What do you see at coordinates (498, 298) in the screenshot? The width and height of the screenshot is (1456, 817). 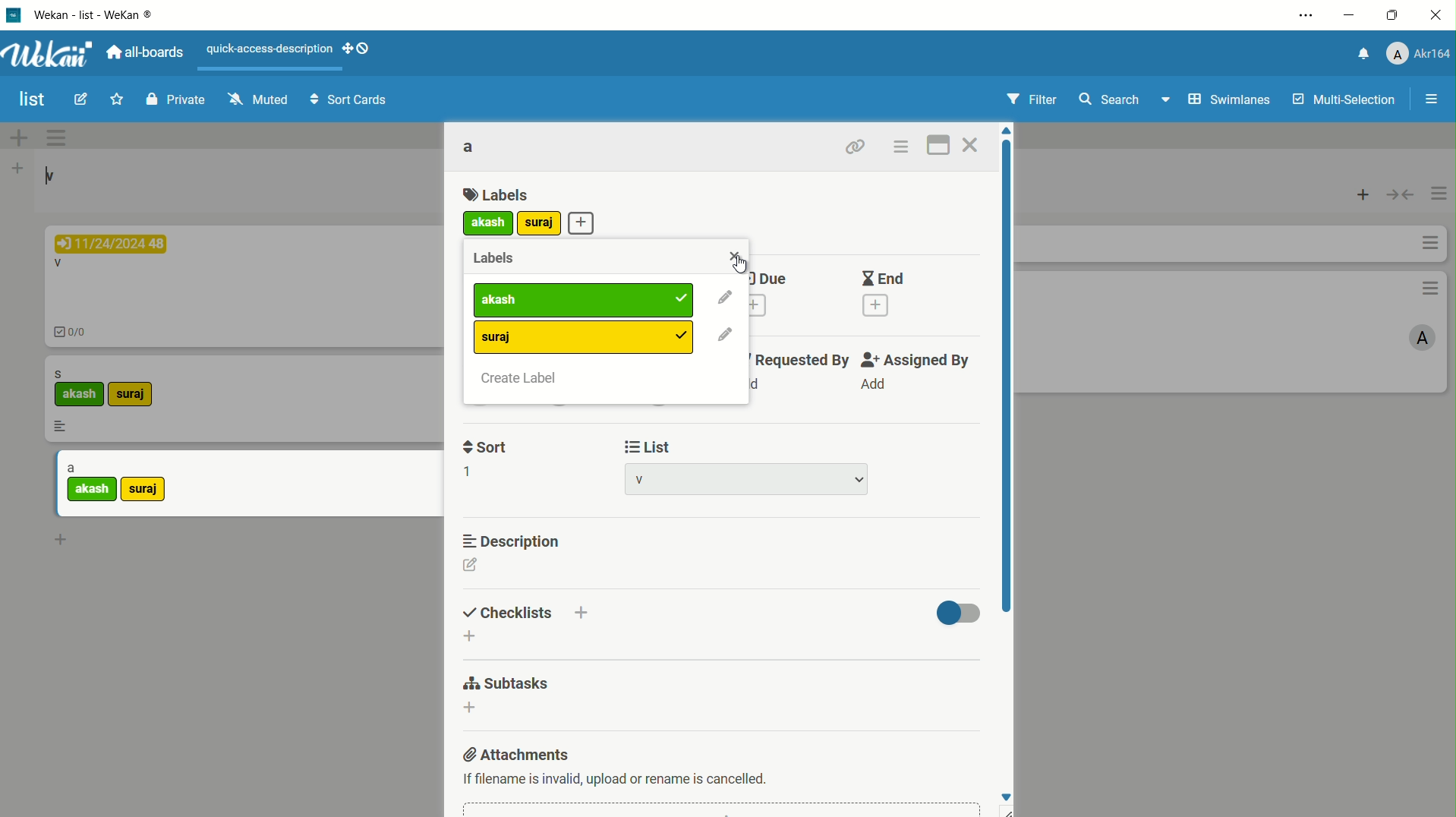 I see `label1` at bounding box center [498, 298].